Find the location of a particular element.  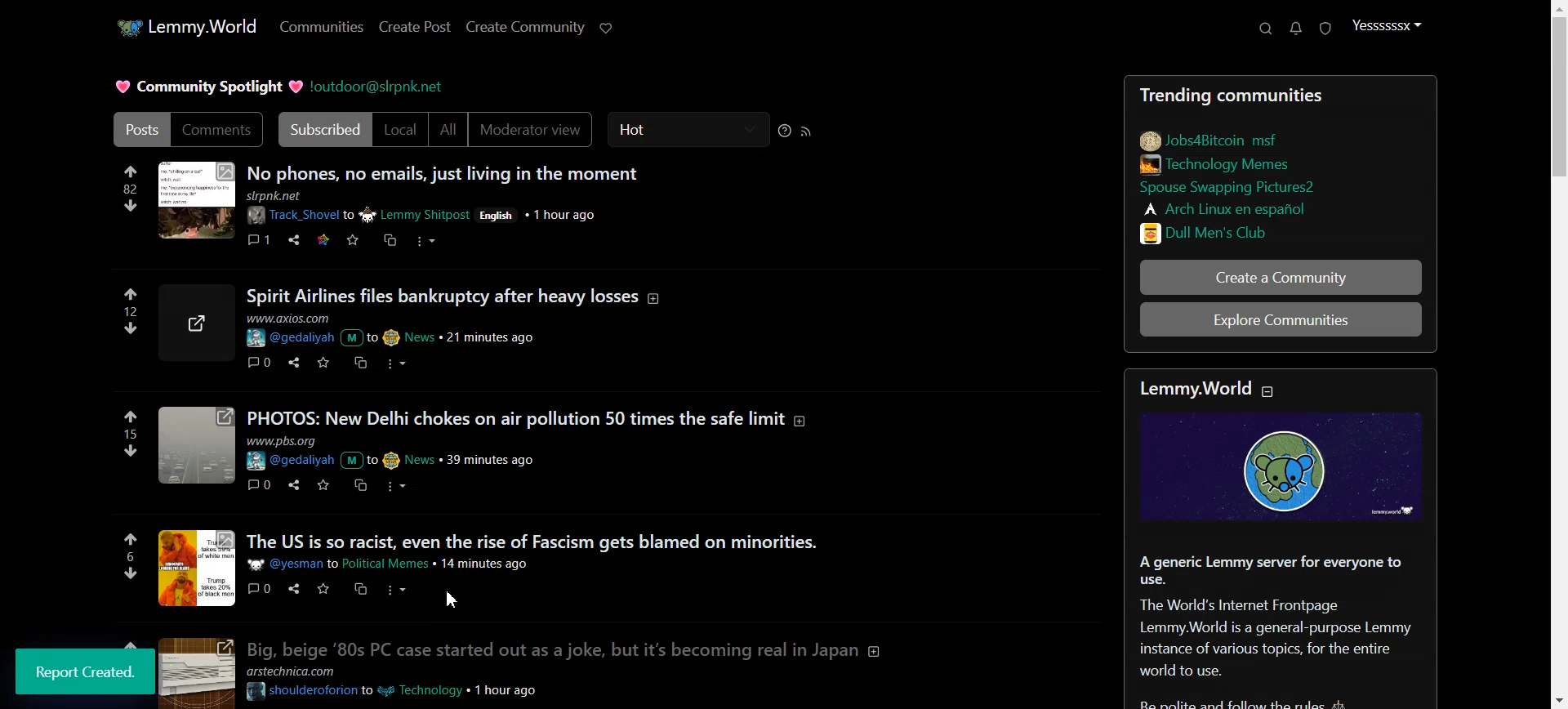

link is located at coordinates (1247, 189).